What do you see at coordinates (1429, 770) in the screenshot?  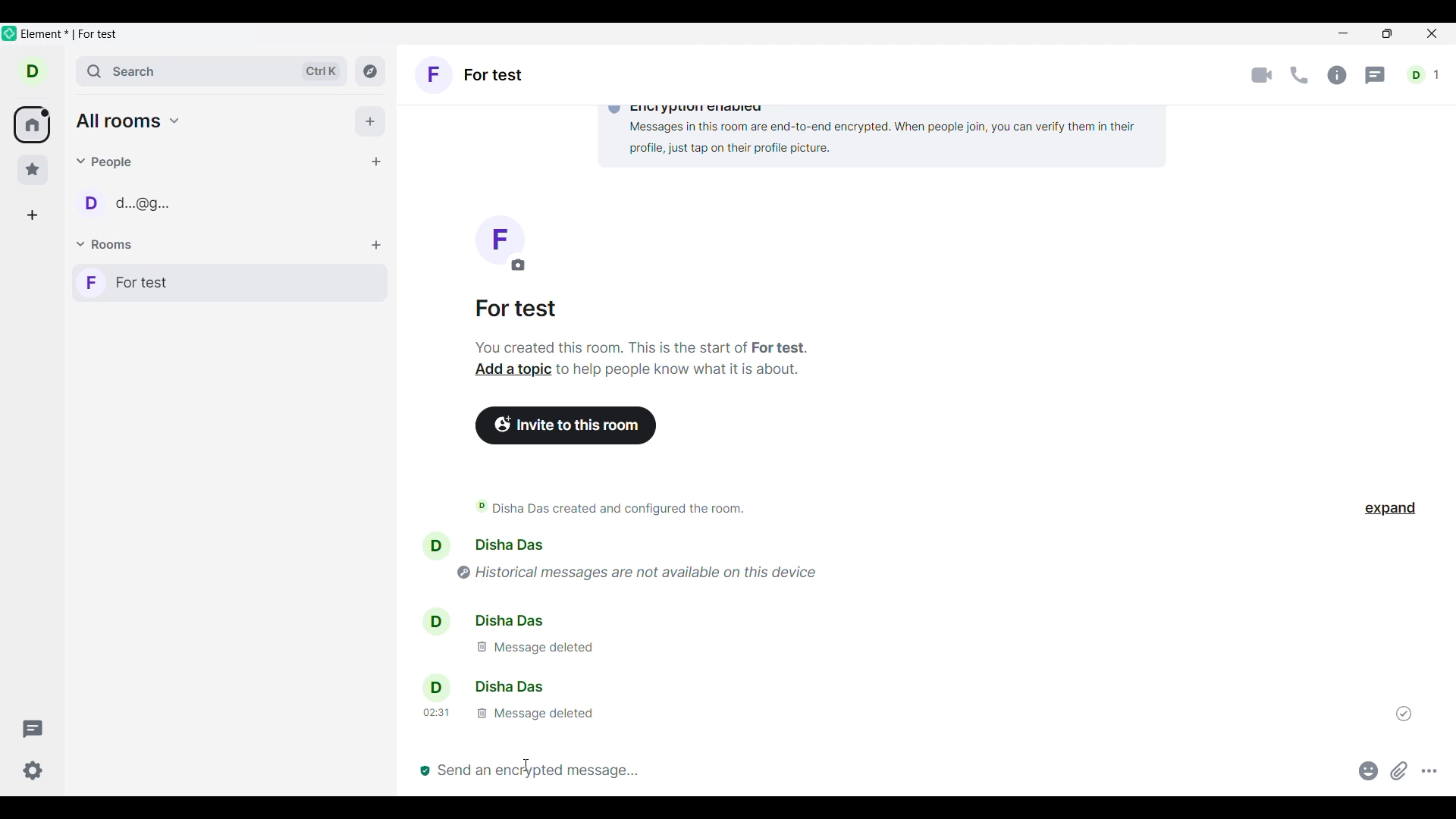 I see `More options` at bounding box center [1429, 770].